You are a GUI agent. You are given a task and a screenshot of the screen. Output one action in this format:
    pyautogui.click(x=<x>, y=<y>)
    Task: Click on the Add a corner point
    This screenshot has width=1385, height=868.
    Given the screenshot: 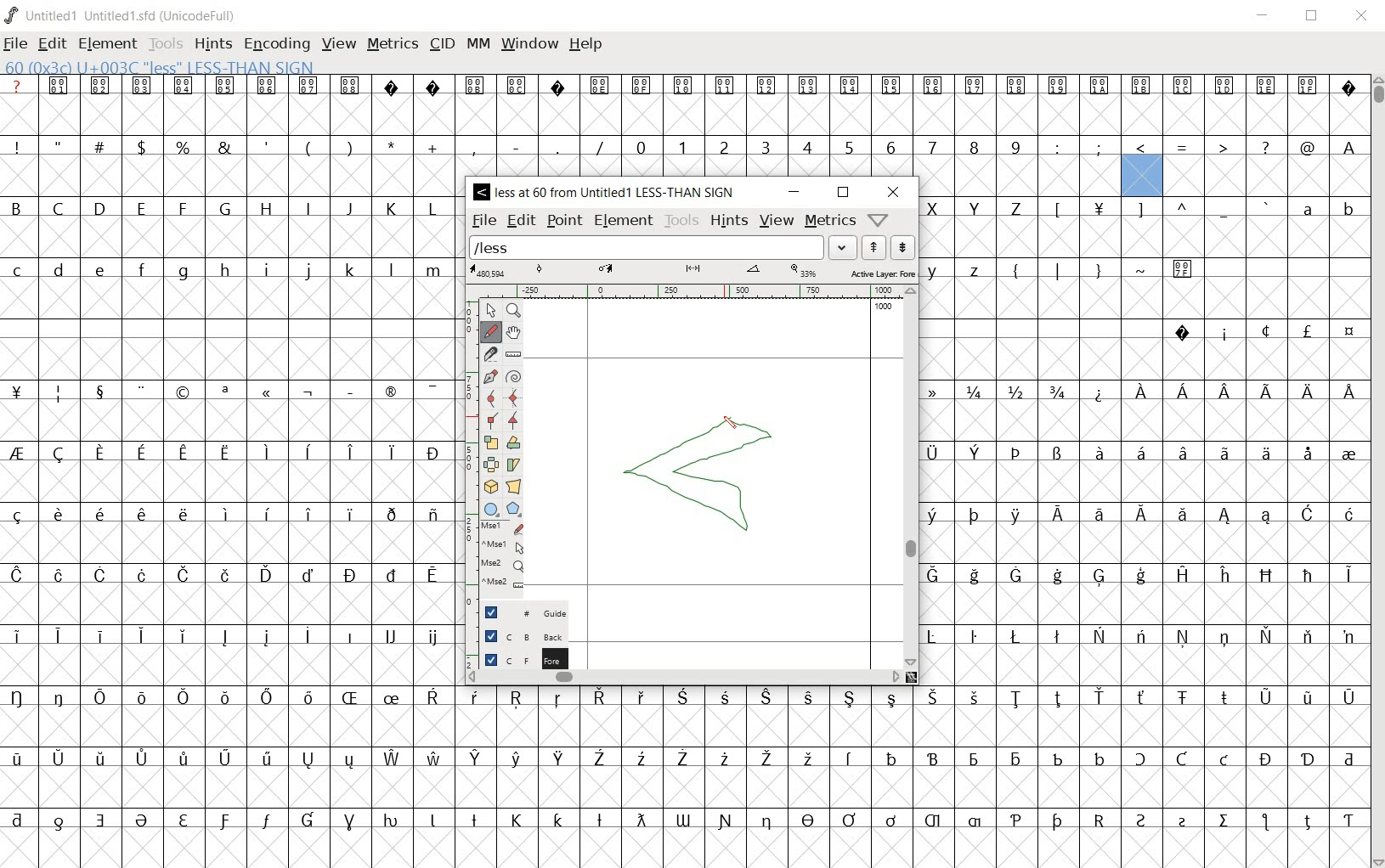 What is the action you would take?
    pyautogui.click(x=514, y=420)
    